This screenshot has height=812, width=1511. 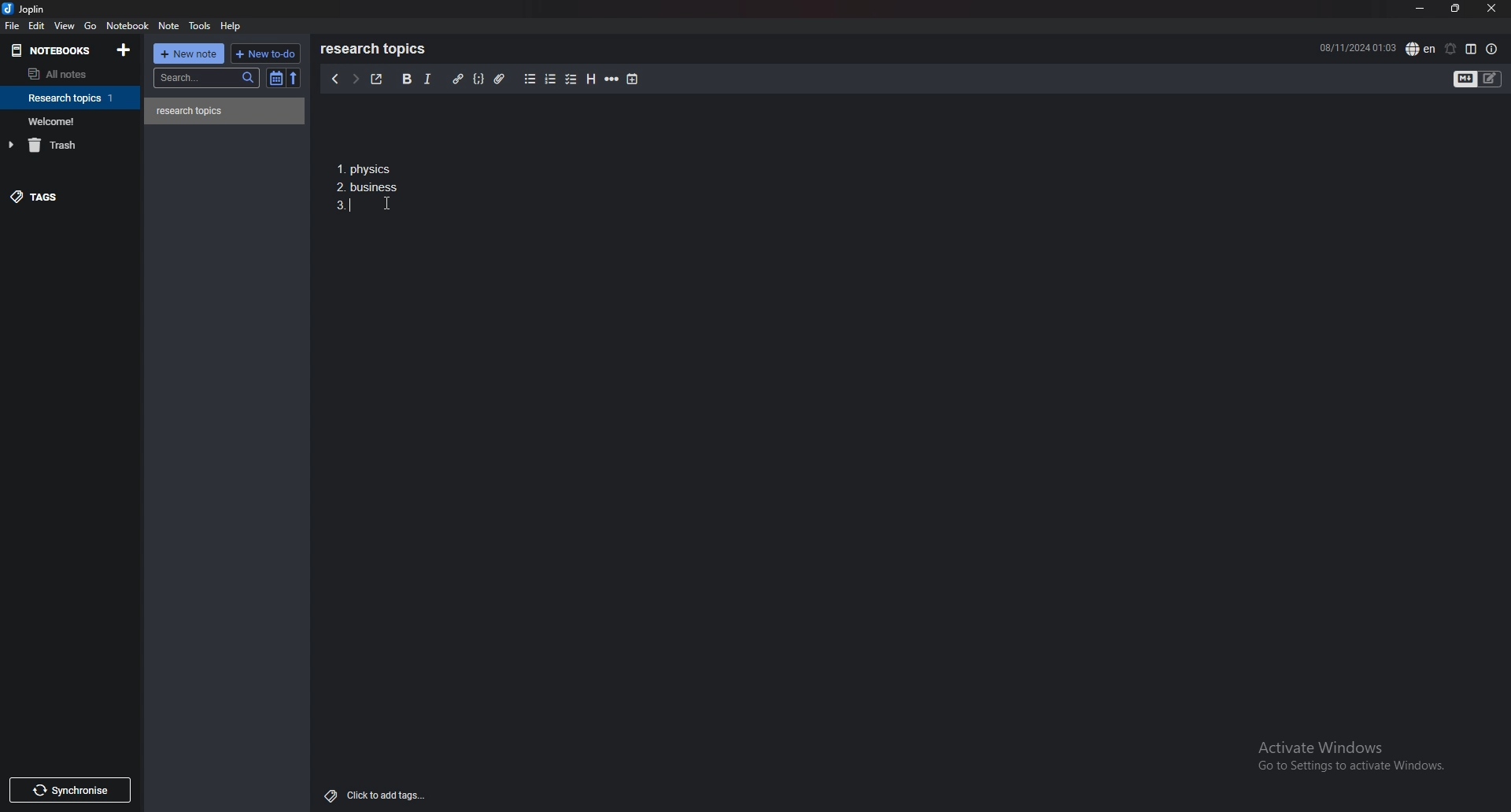 I want to click on numbered list, so click(x=552, y=79).